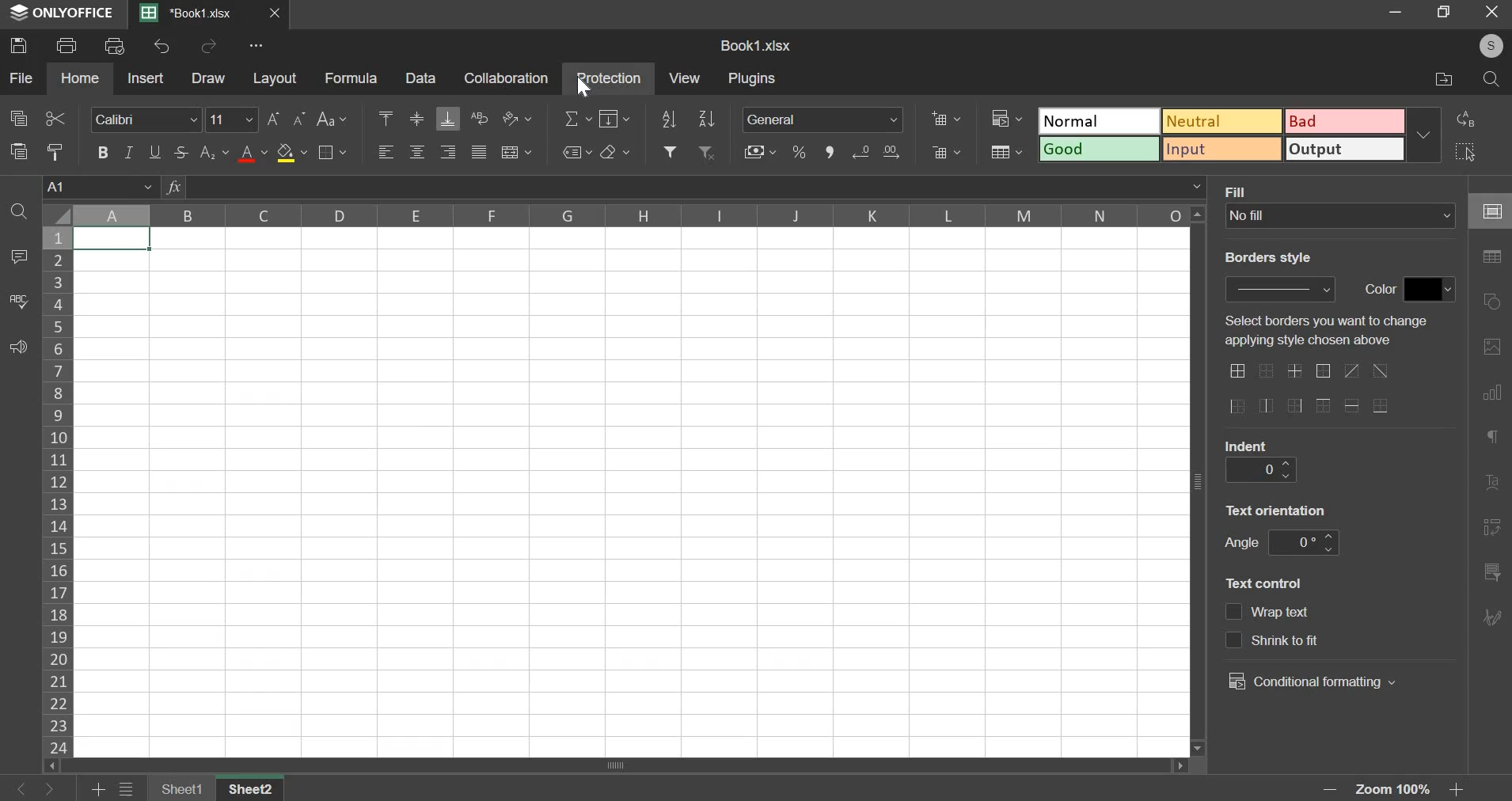 This screenshot has height=801, width=1512. What do you see at coordinates (275, 78) in the screenshot?
I see `layout` at bounding box center [275, 78].